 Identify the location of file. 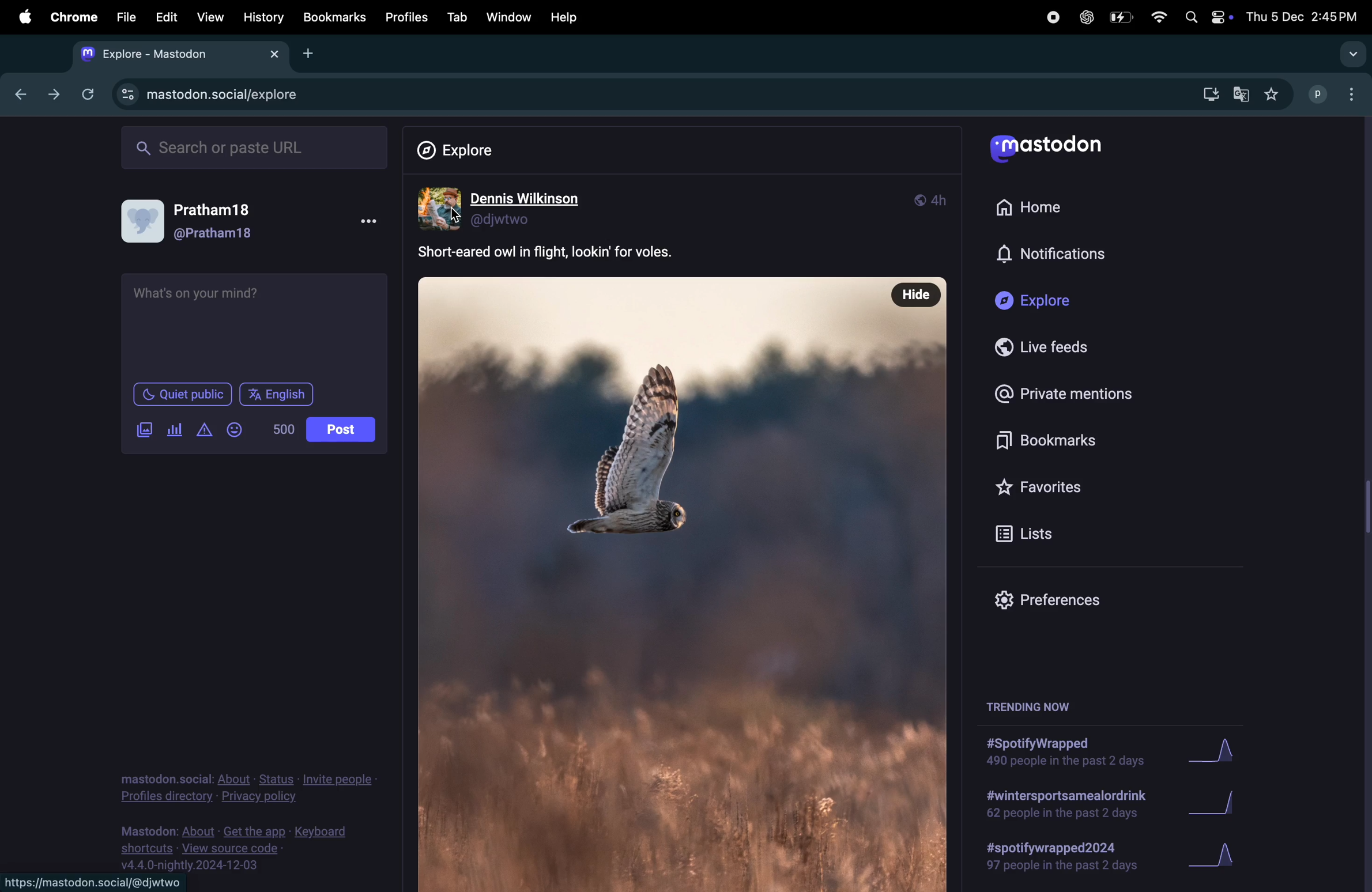
(126, 17).